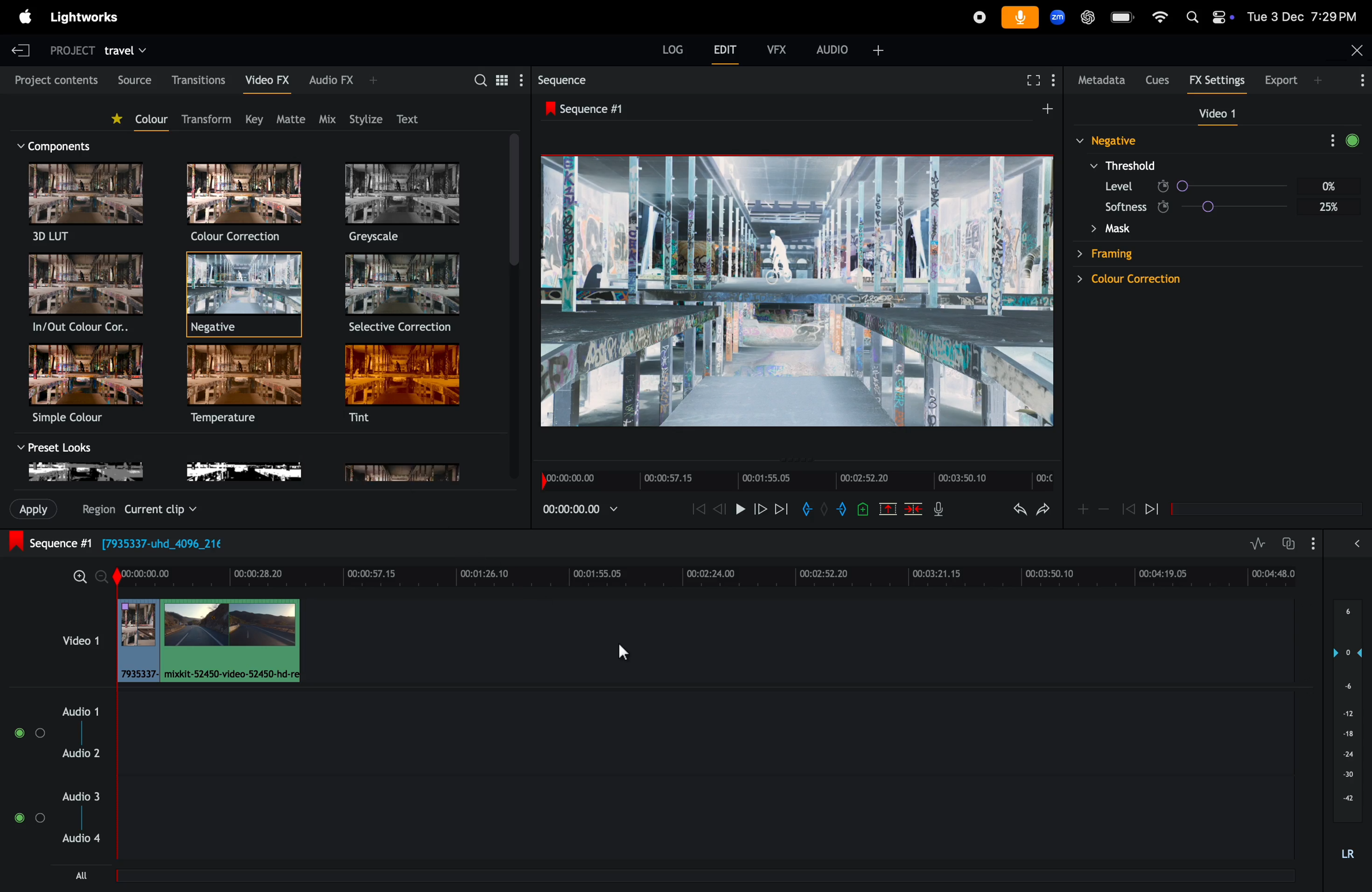 The image size is (1372, 892). I want to click on toggle auto track sync, so click(1299, 539).